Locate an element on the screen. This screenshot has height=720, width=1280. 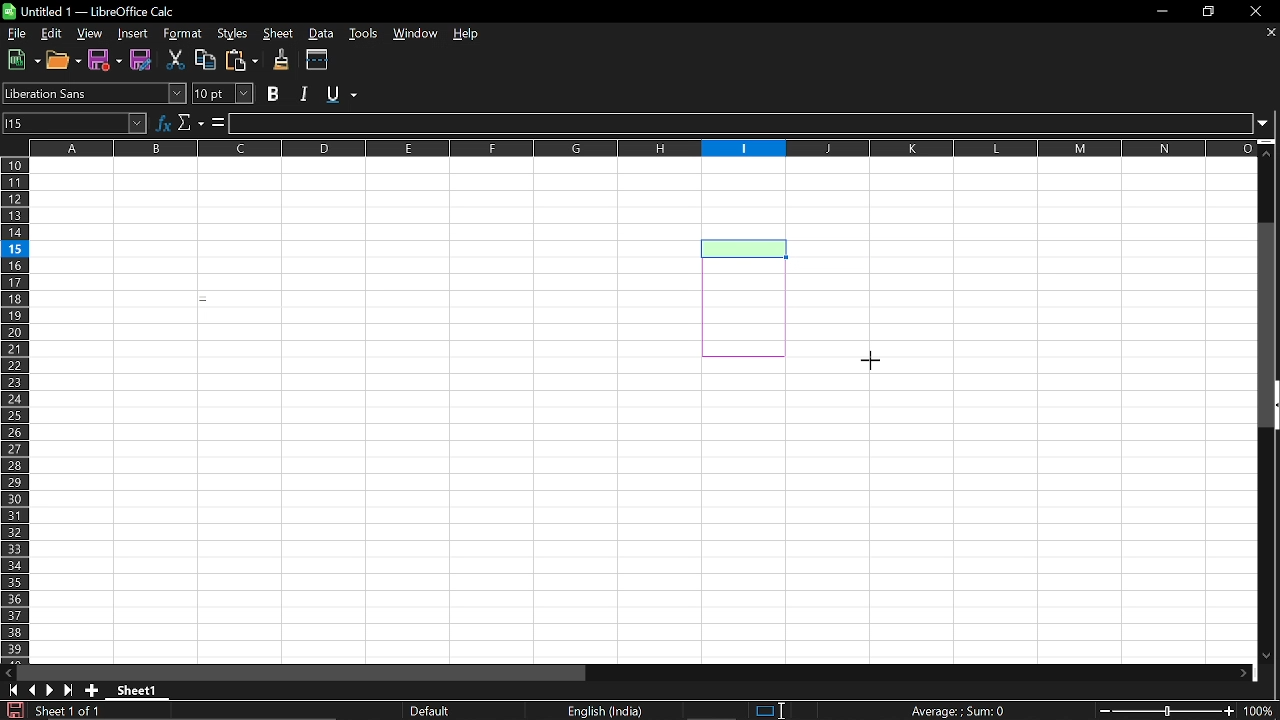
Save is located at coordinates (141, 61).